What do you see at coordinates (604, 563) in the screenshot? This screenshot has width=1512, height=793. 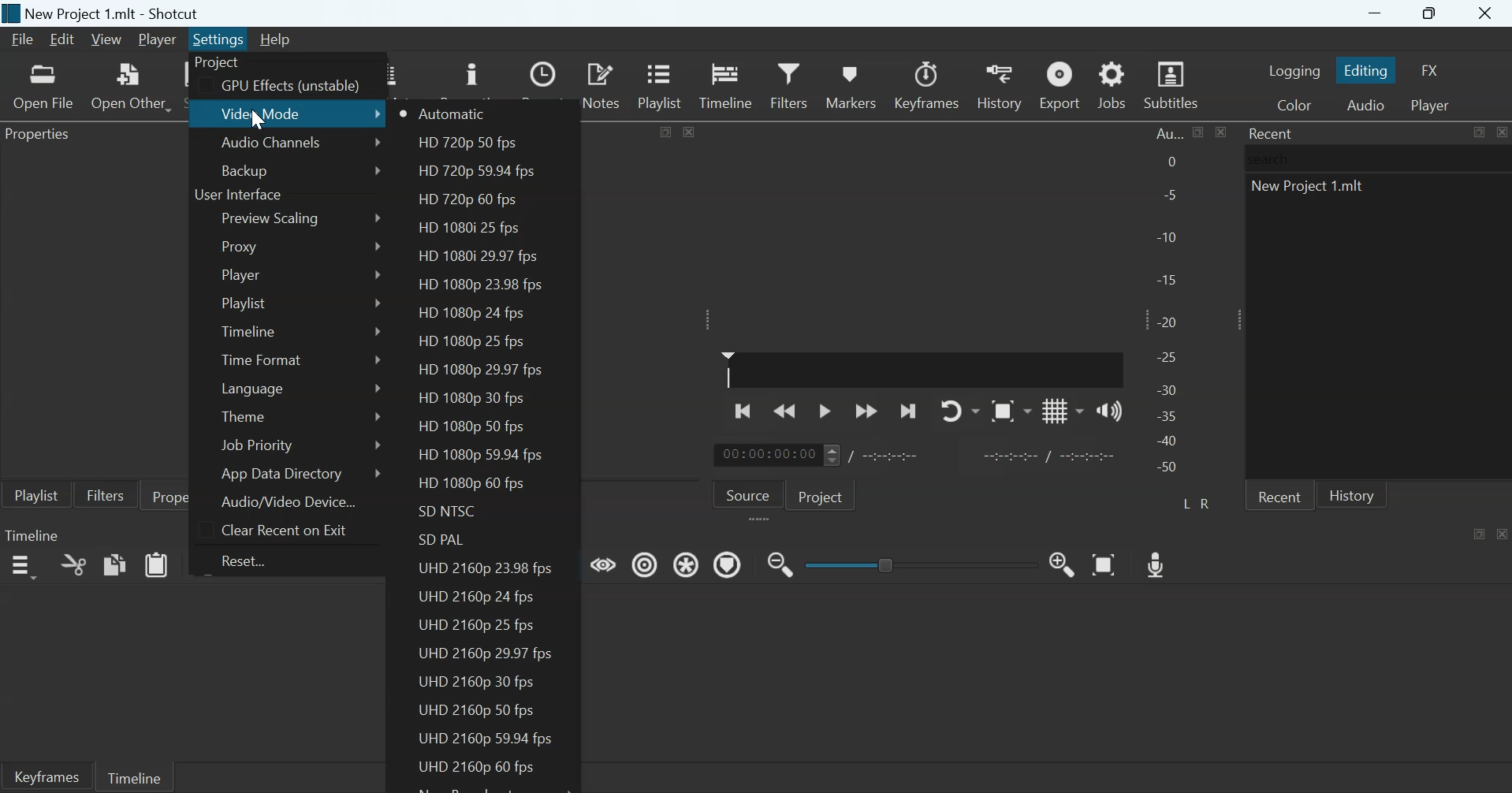 I see `Scrub while dragging` at bounding box center [604, 563].